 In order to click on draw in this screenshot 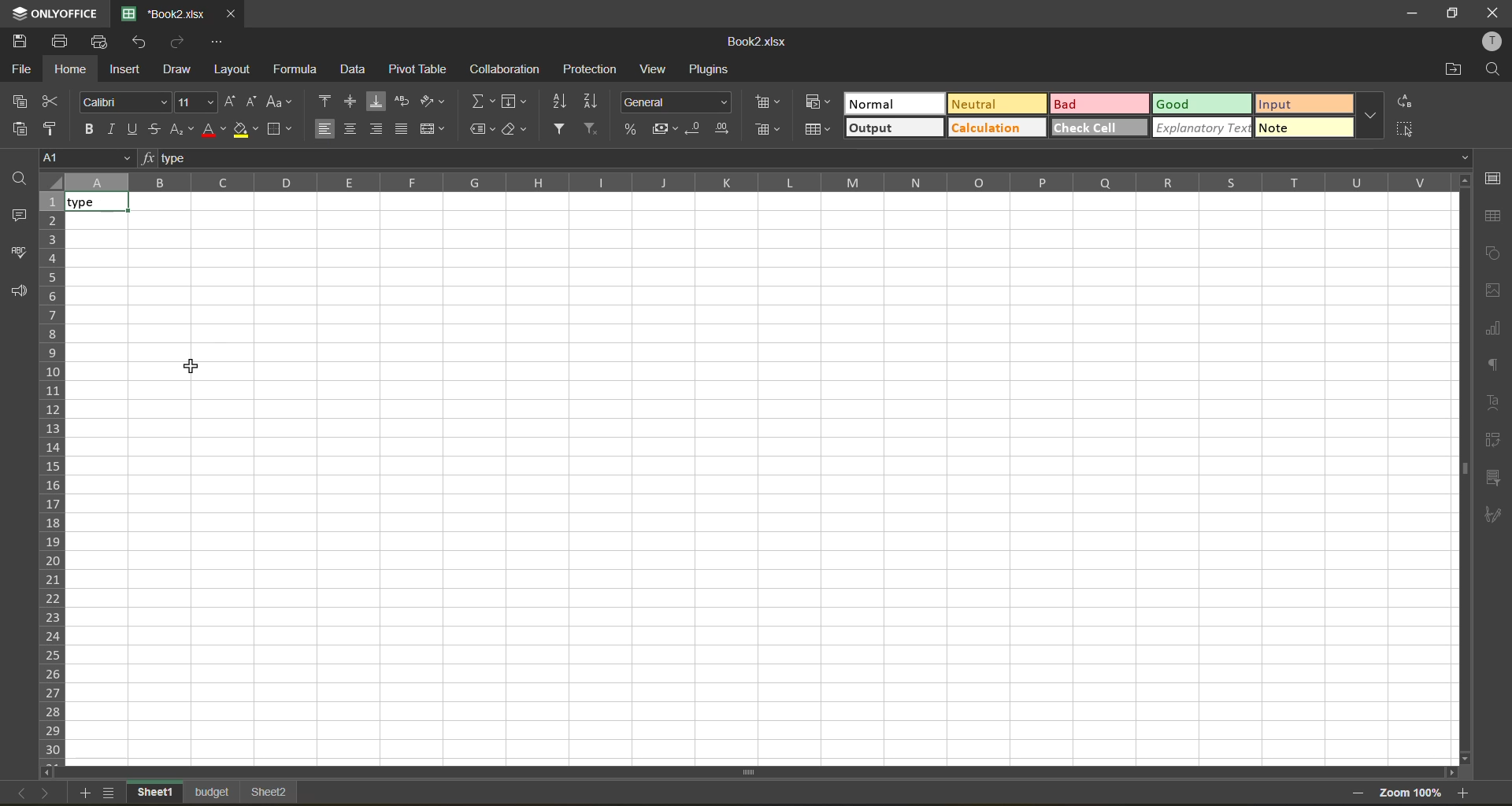, I will do `click(174, 70)`.